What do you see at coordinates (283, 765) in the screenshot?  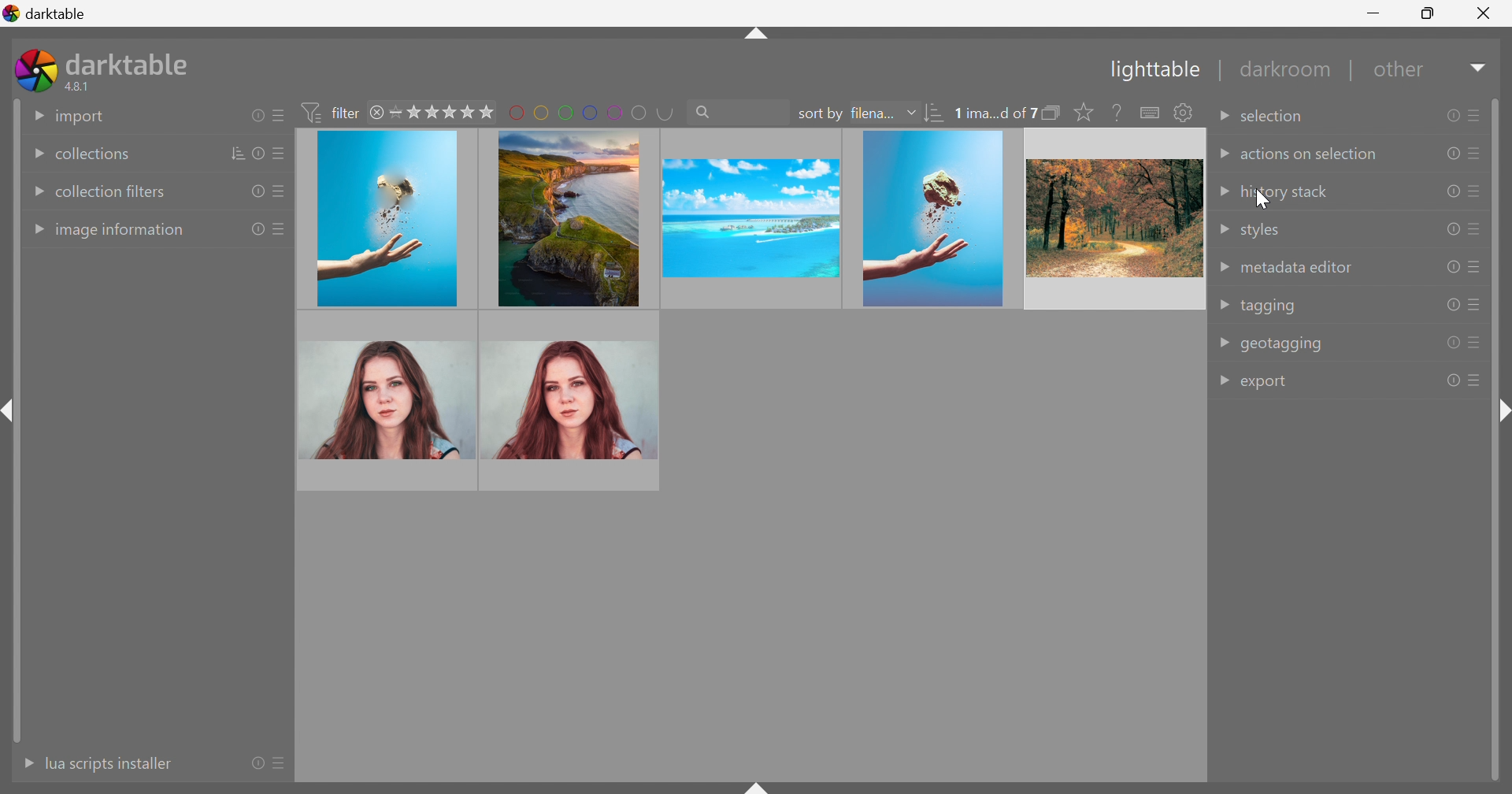 I see `presets` at bounding box center [283, 765].